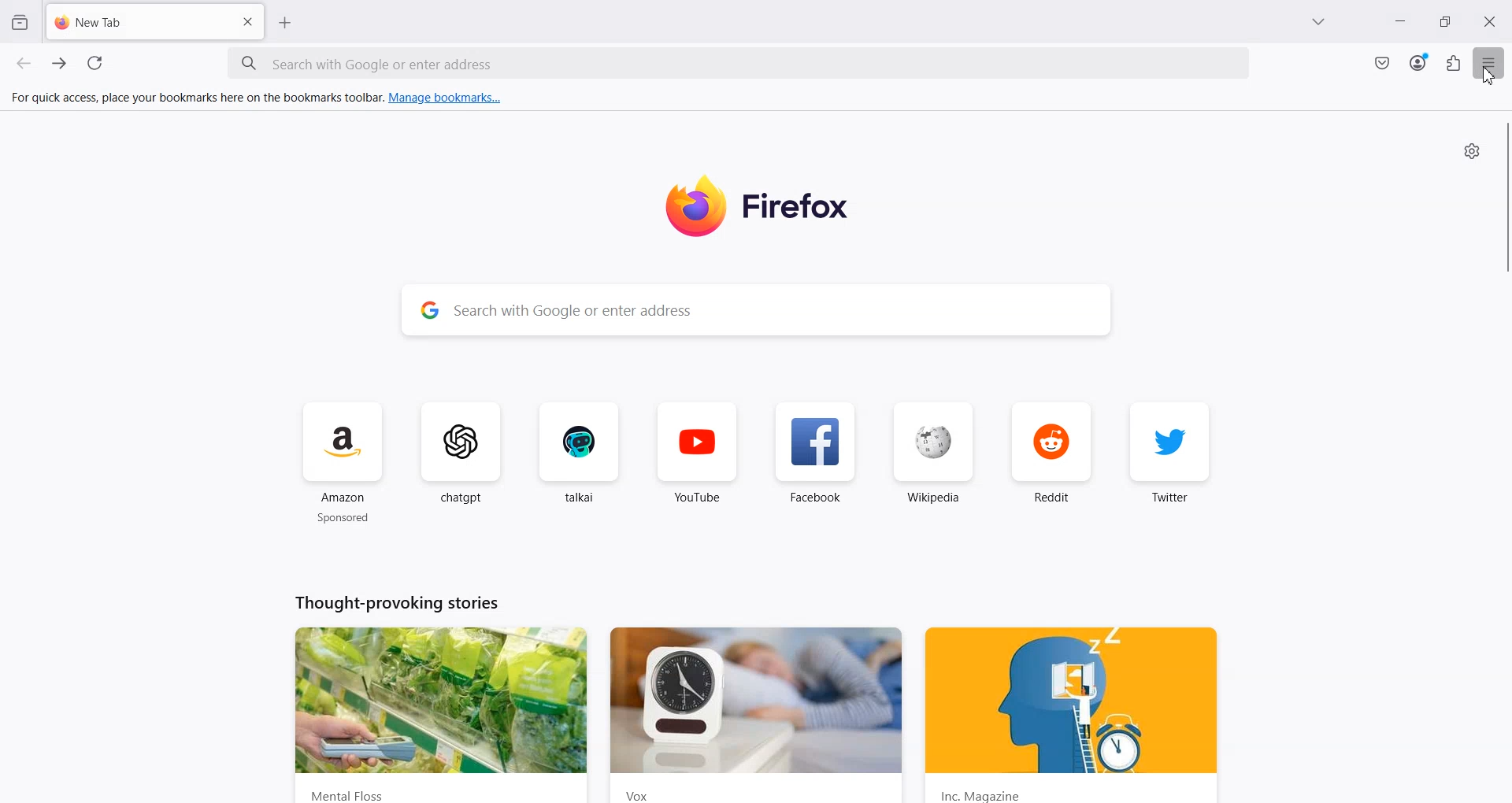 Image resolution: width=1512 pixels, height=803 pixels. Describe the element at coordinates (1445, 22) in the screenshot. I see `Maximize` at that location.